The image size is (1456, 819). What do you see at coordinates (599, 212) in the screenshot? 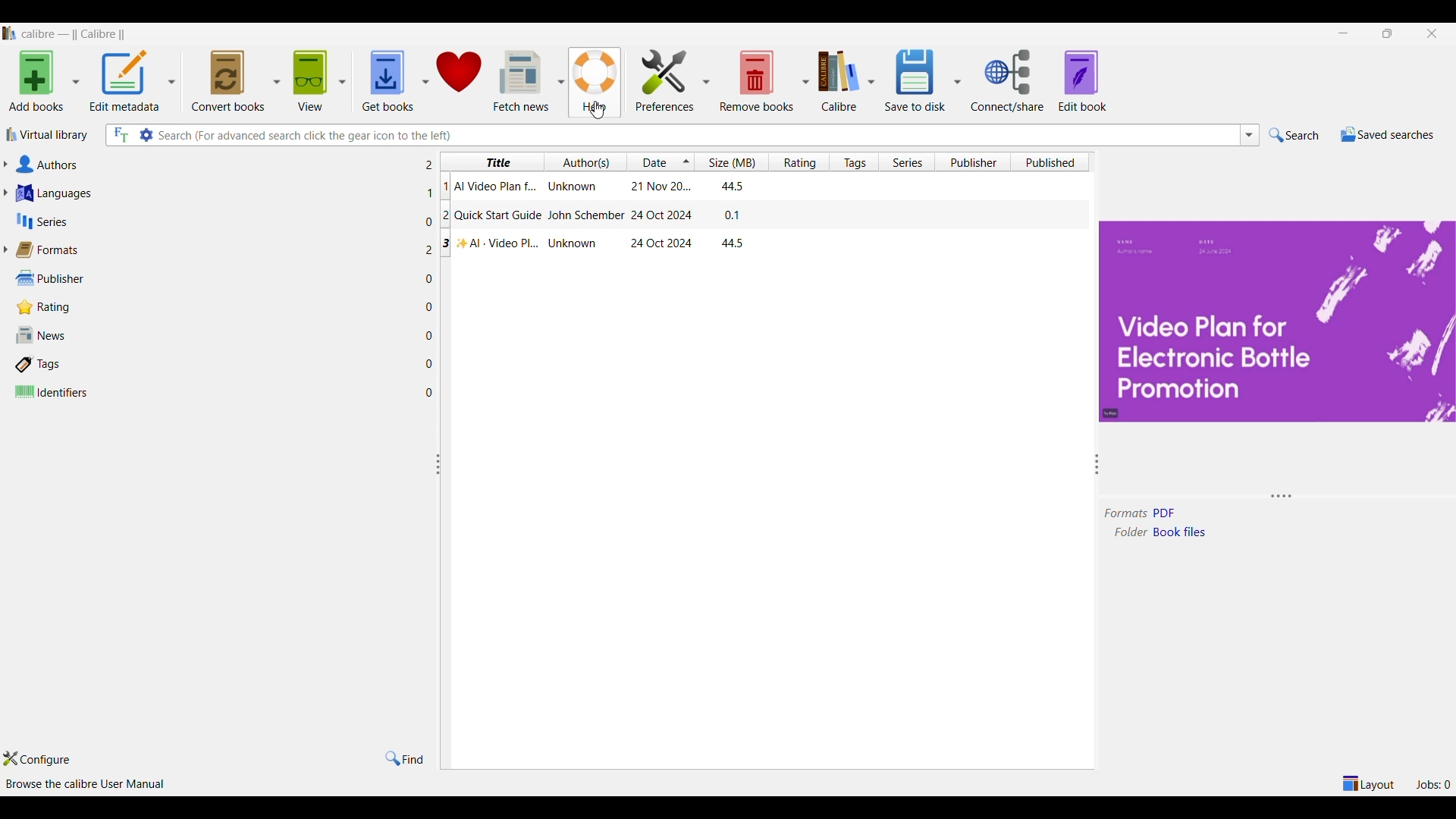
I see `Column specific information` at bounding box center [599, 212].